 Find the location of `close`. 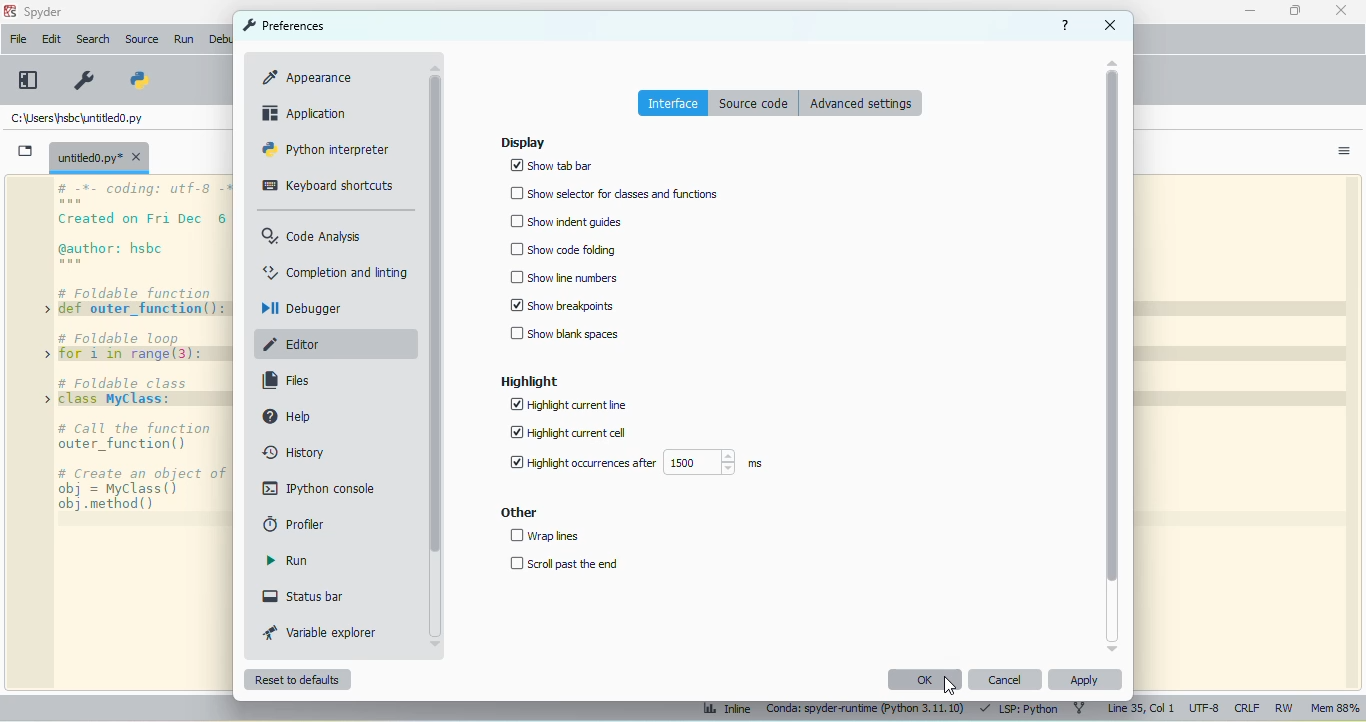

close is located at coordinates (1342, 9).